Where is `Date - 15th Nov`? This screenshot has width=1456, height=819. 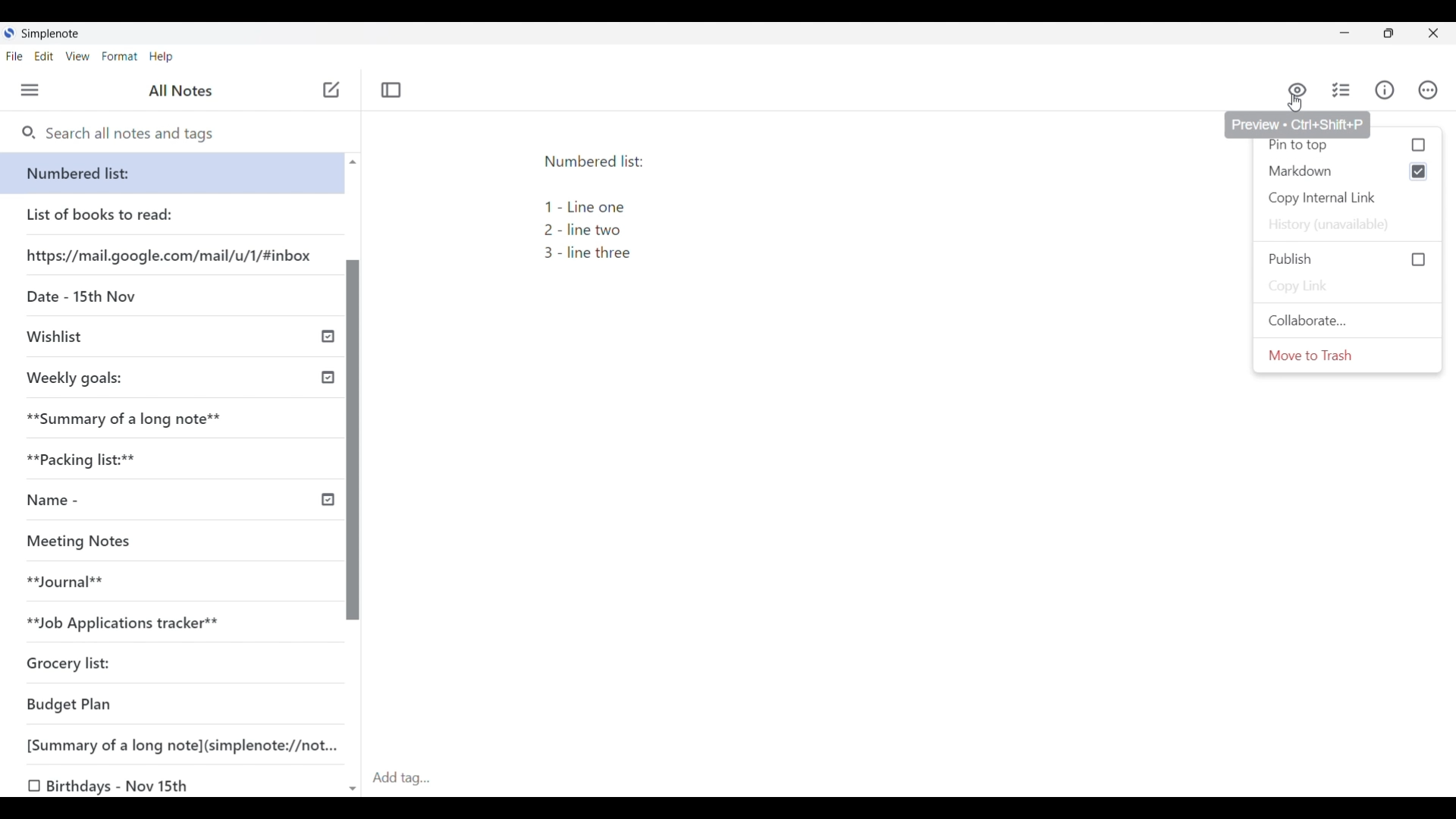 Date - 15th Nov is located at coordinates (93, 298).